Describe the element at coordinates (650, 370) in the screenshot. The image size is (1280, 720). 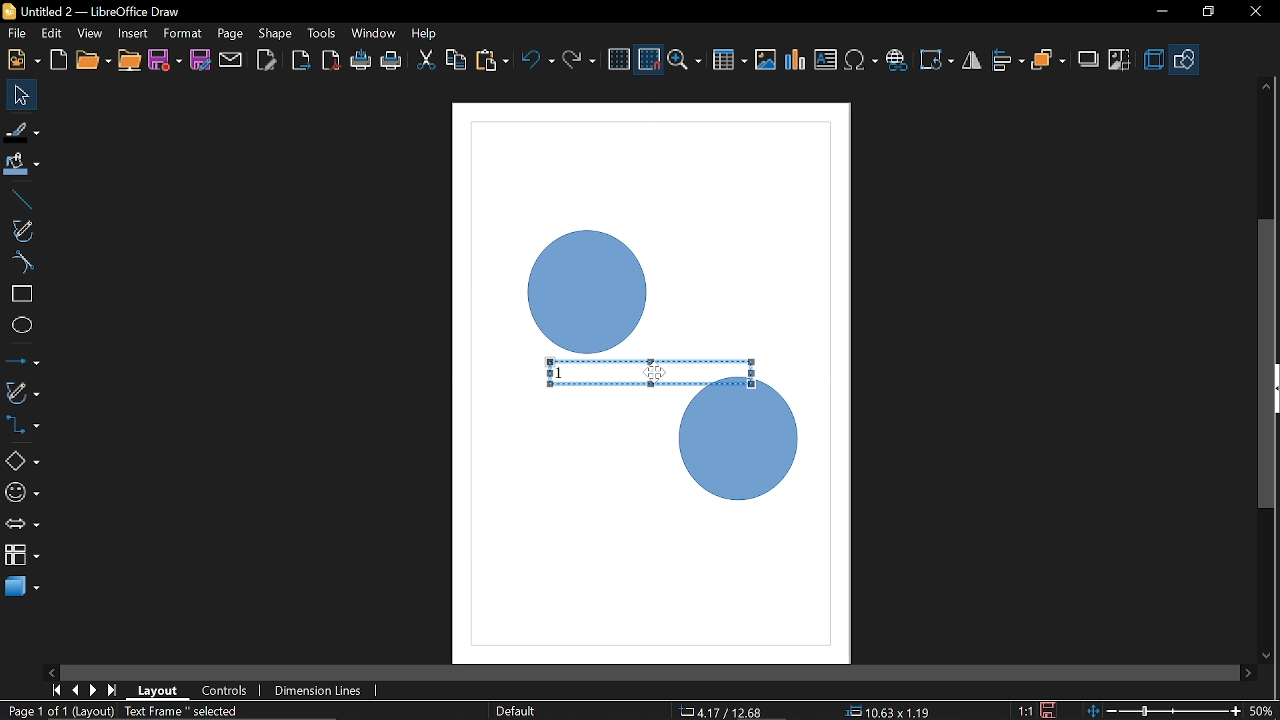
I see `Diagram` at that location.